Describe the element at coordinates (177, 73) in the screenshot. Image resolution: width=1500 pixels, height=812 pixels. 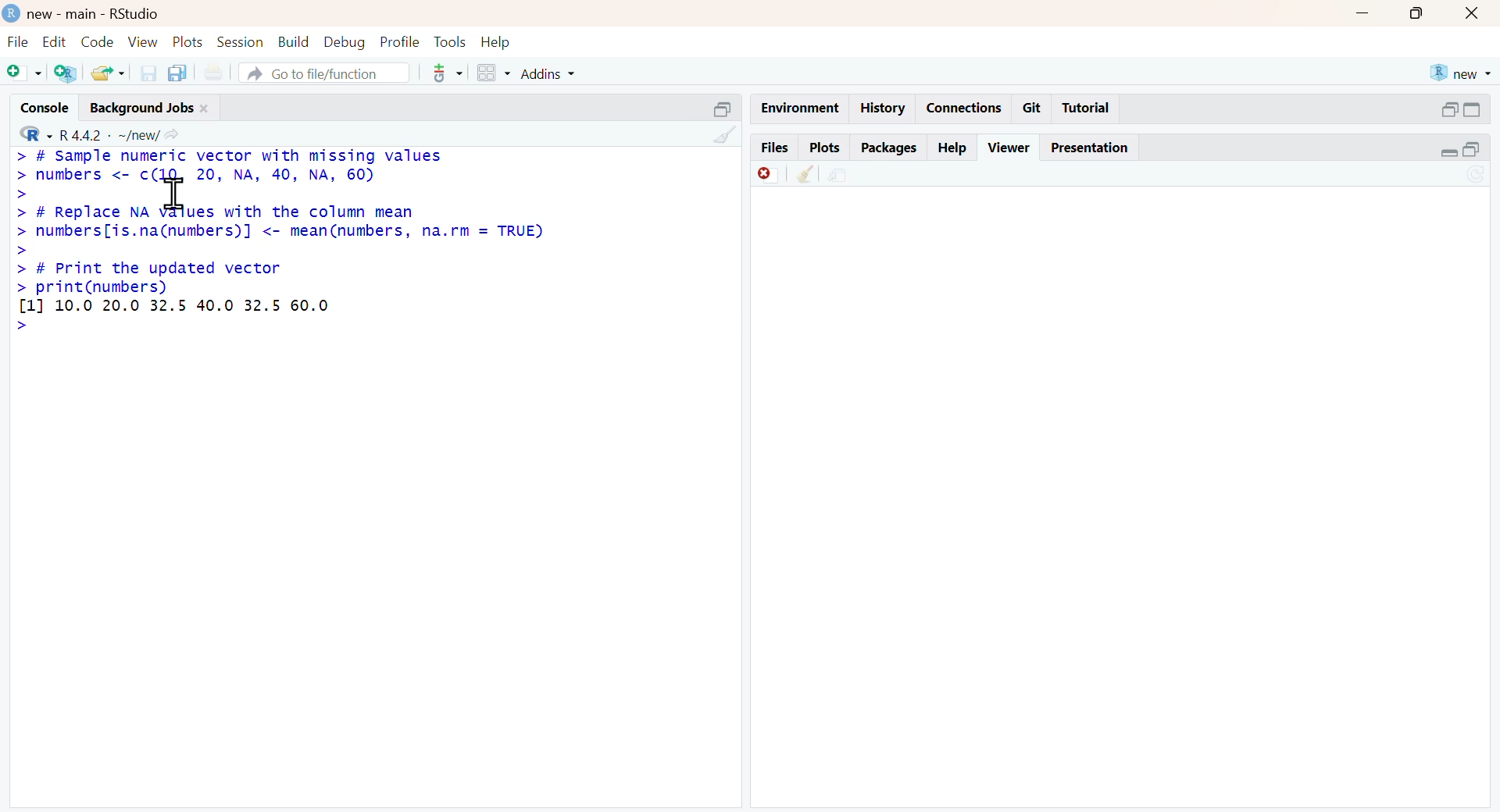
I see `copy` at that location.